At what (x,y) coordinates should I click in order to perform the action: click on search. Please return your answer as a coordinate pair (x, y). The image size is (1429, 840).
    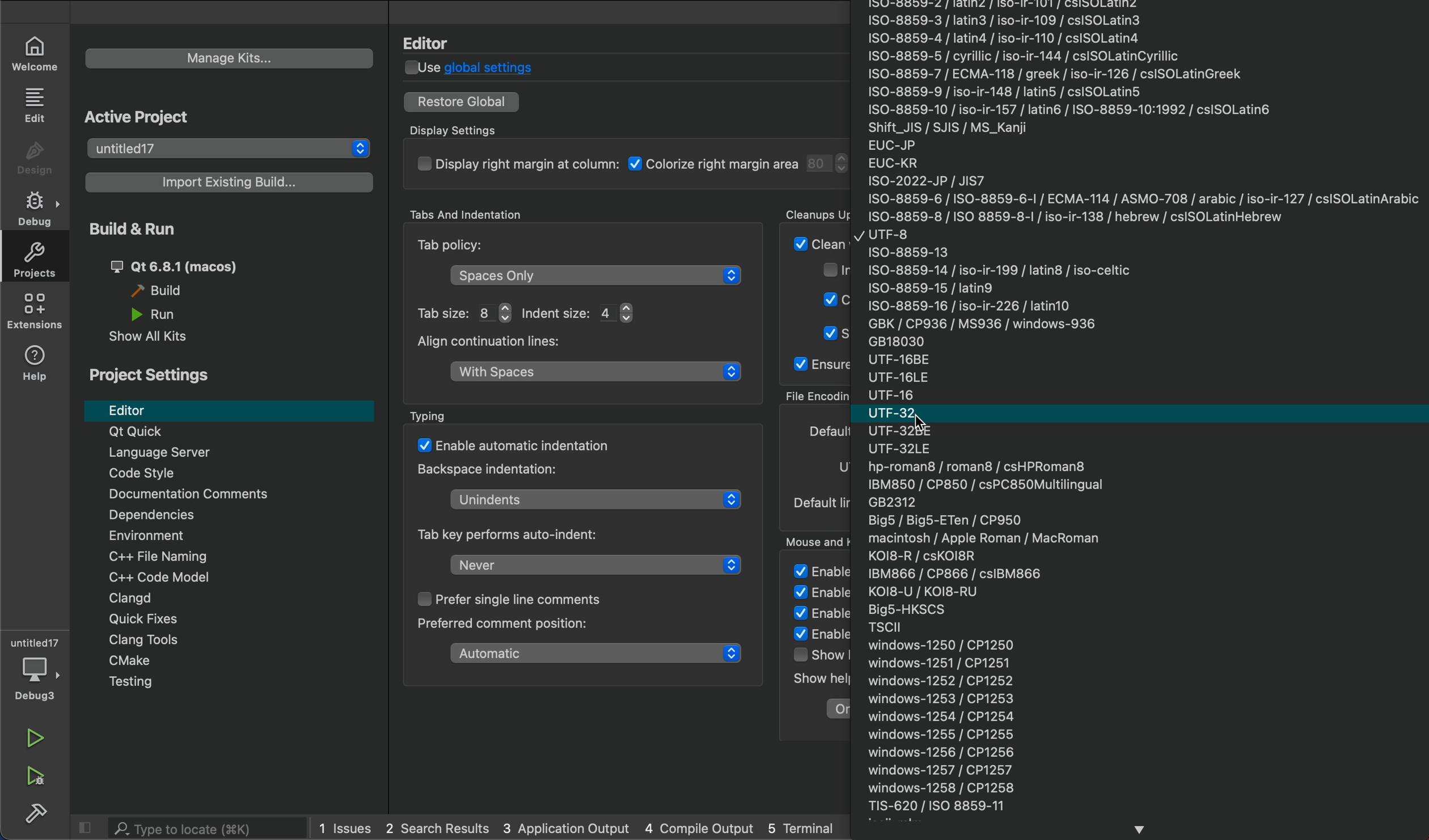
    Looking at the image, I should click on (196, 827).